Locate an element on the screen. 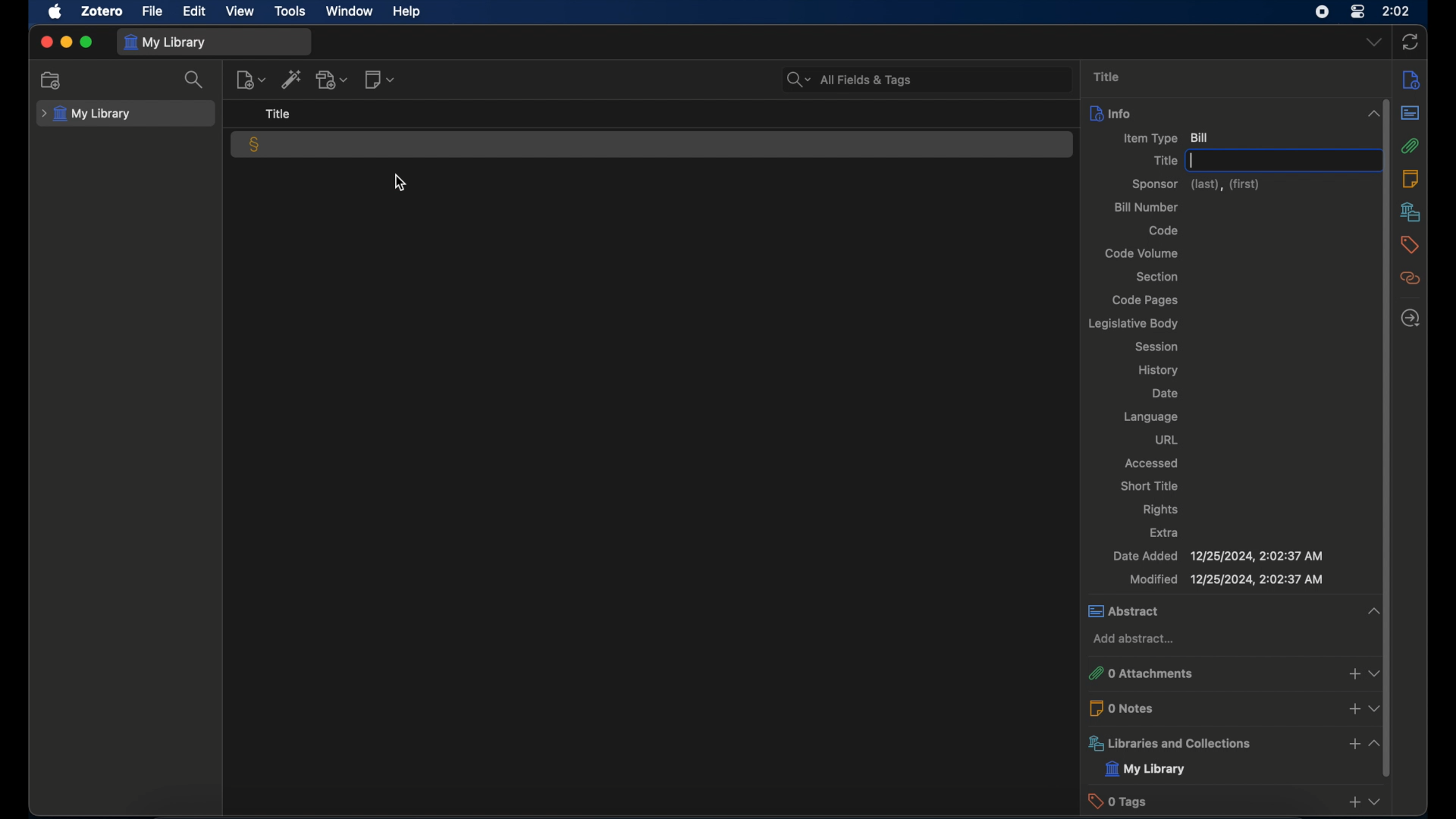 The image size is (1456, 819). 0 notes is located at coordinates (1236, 708).